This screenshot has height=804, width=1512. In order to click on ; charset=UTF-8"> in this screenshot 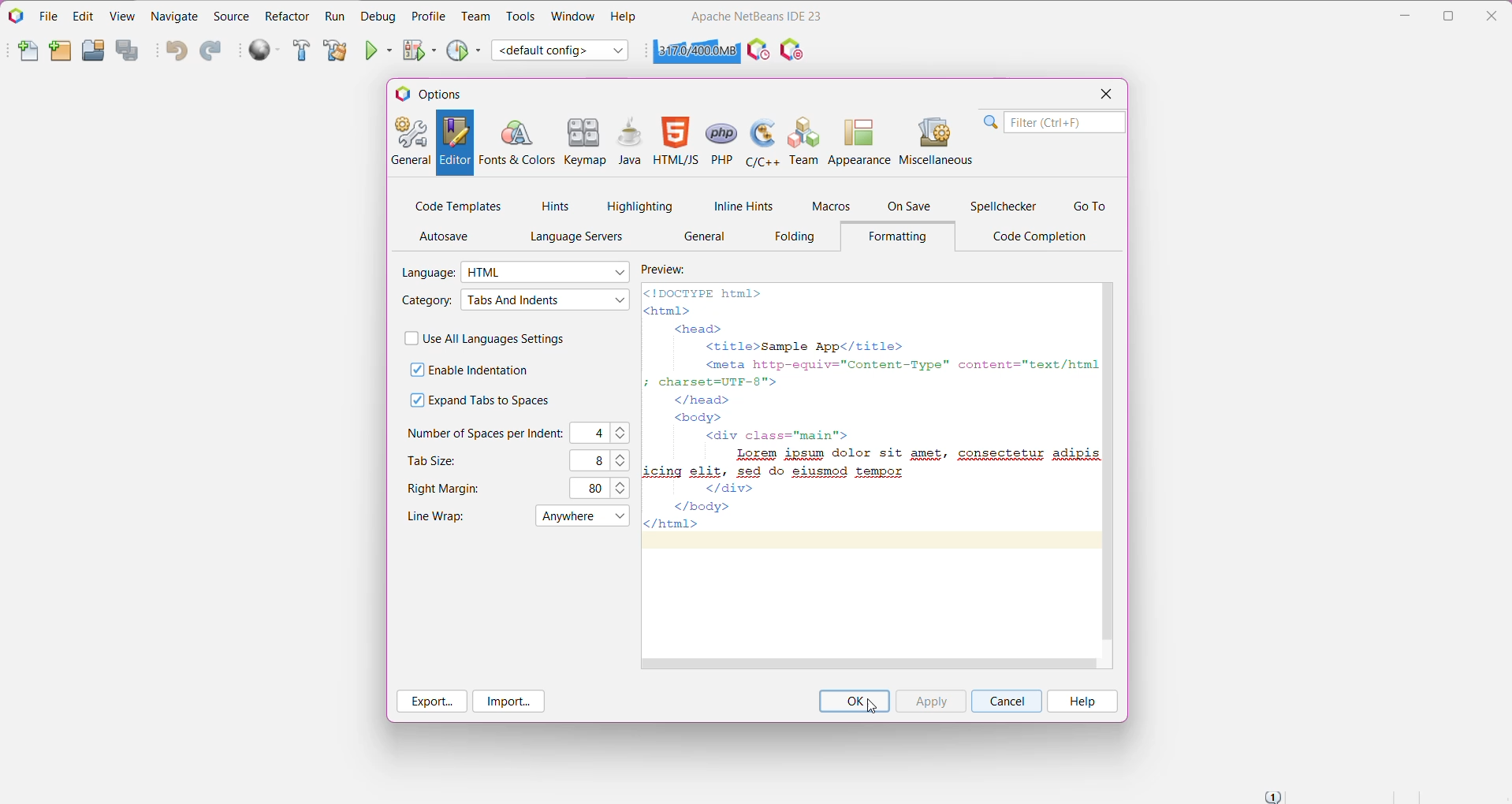, I will do `click(717, 382)`.